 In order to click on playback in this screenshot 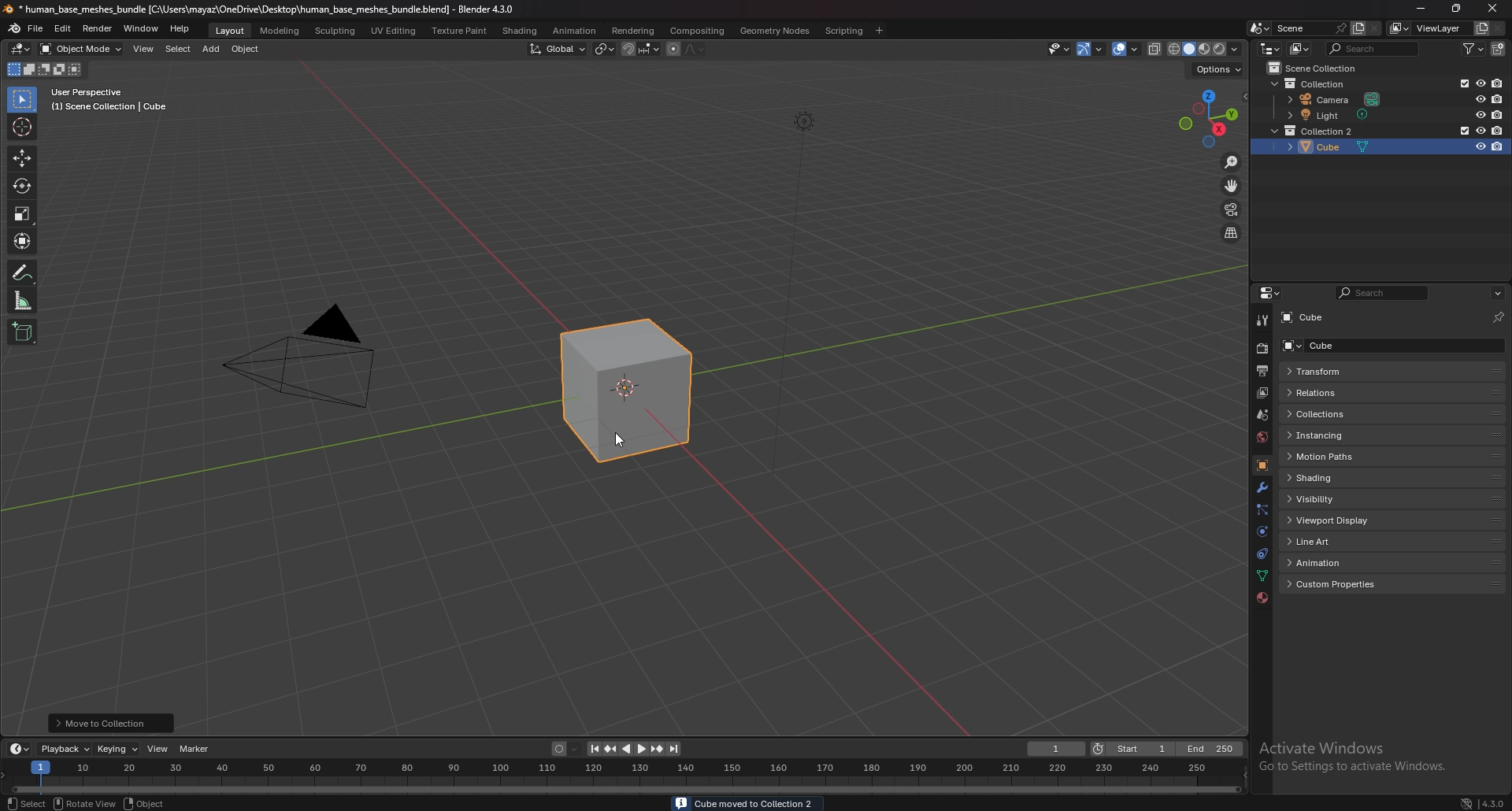, I will do `click(65, 749)`.